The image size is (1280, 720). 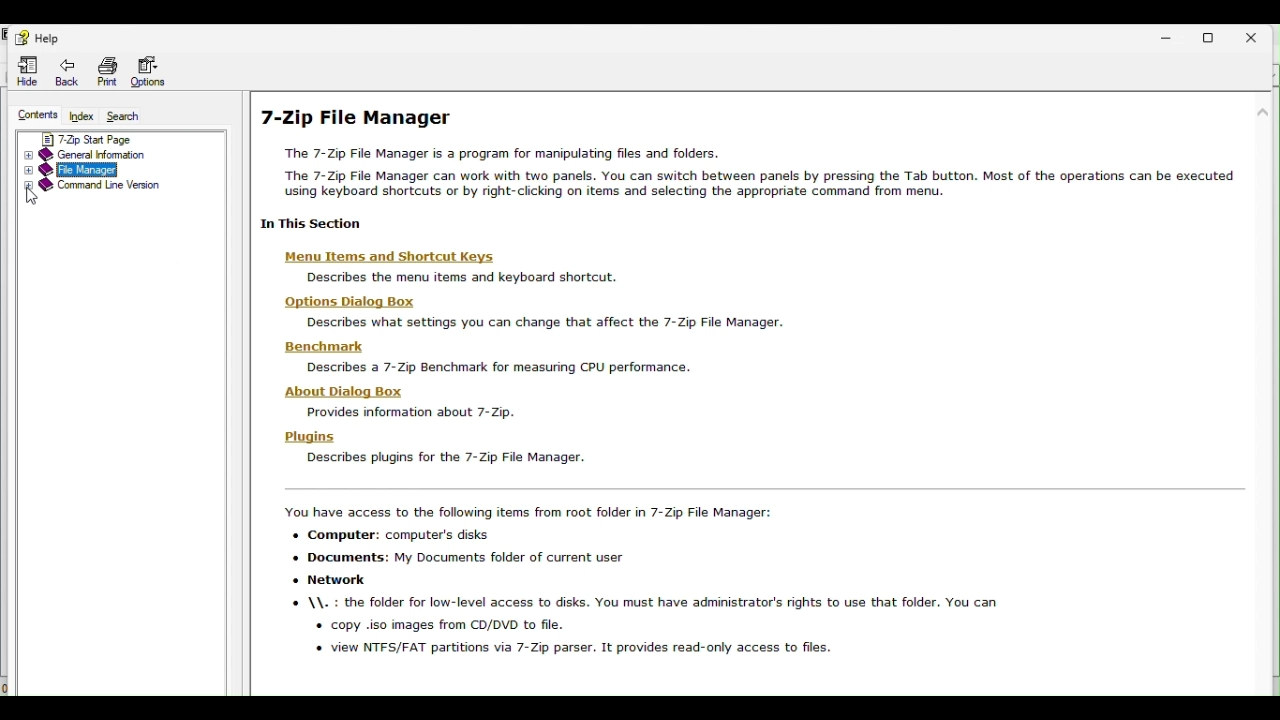 I want to click on Plugins, so click(x=305, y=437).